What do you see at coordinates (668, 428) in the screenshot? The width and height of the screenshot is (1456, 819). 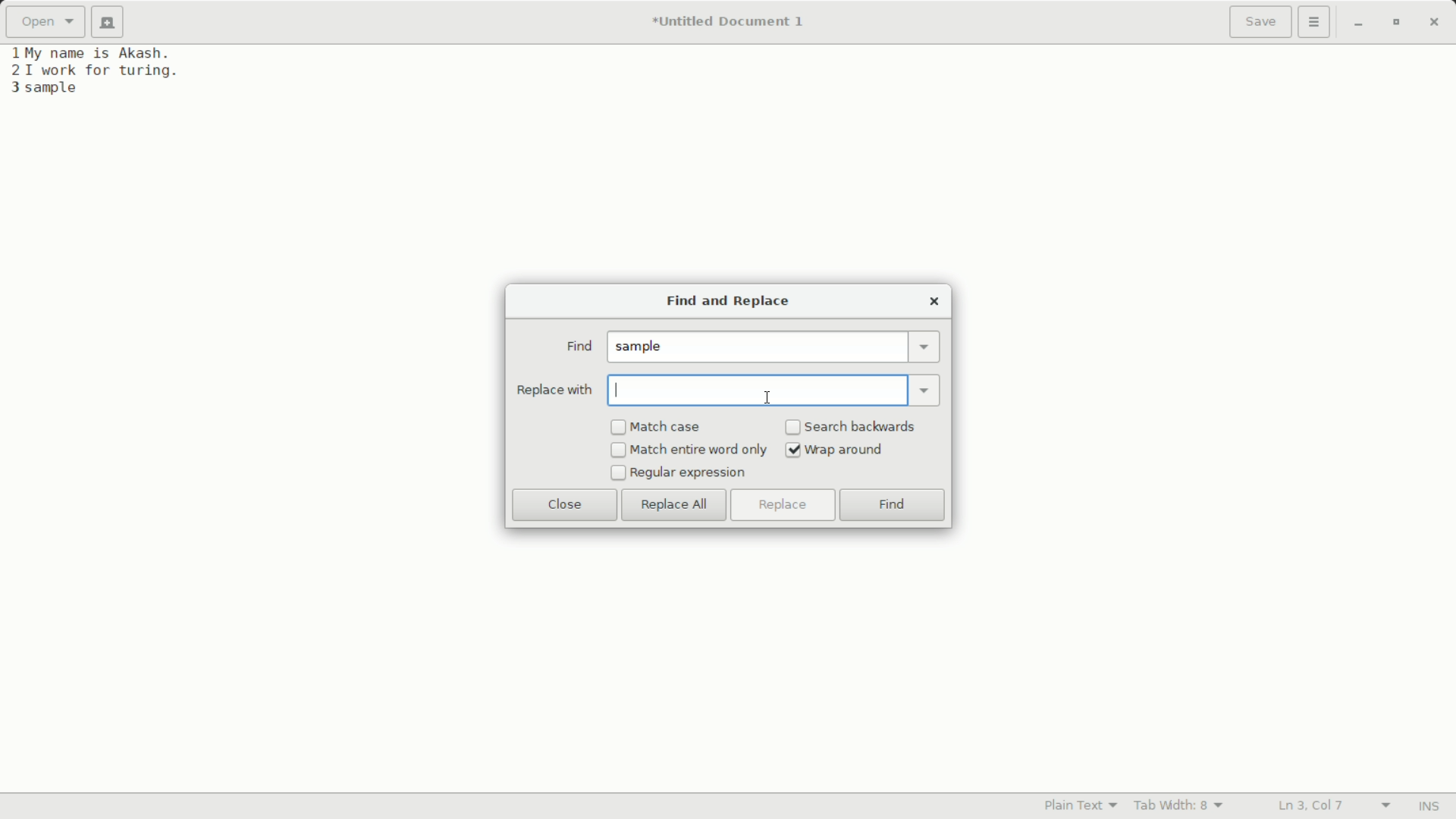 I see `match case` at bounding box center [668, 428].